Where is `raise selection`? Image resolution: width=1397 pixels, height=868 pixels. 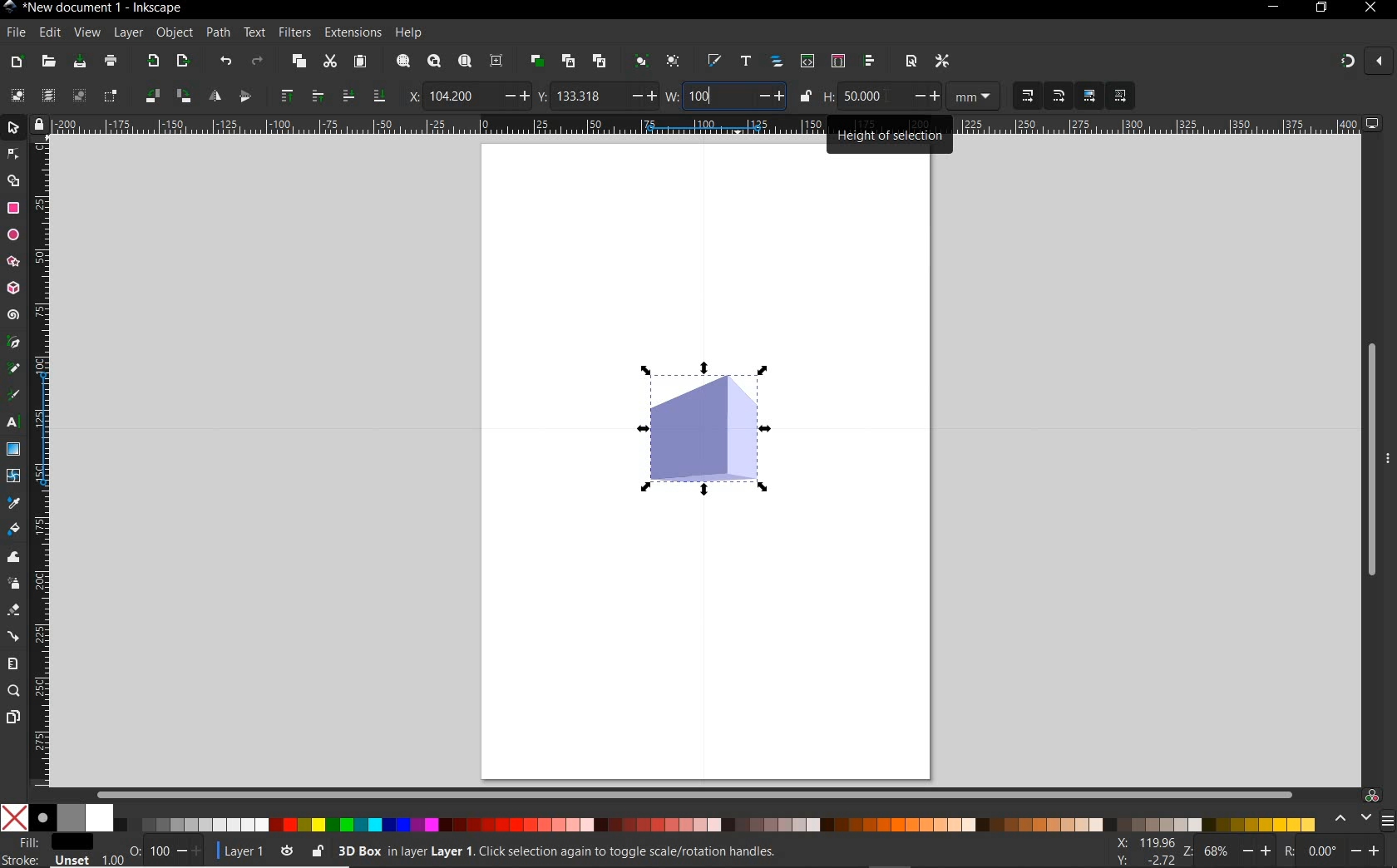 raise selection is located at coordinates (315, 96).